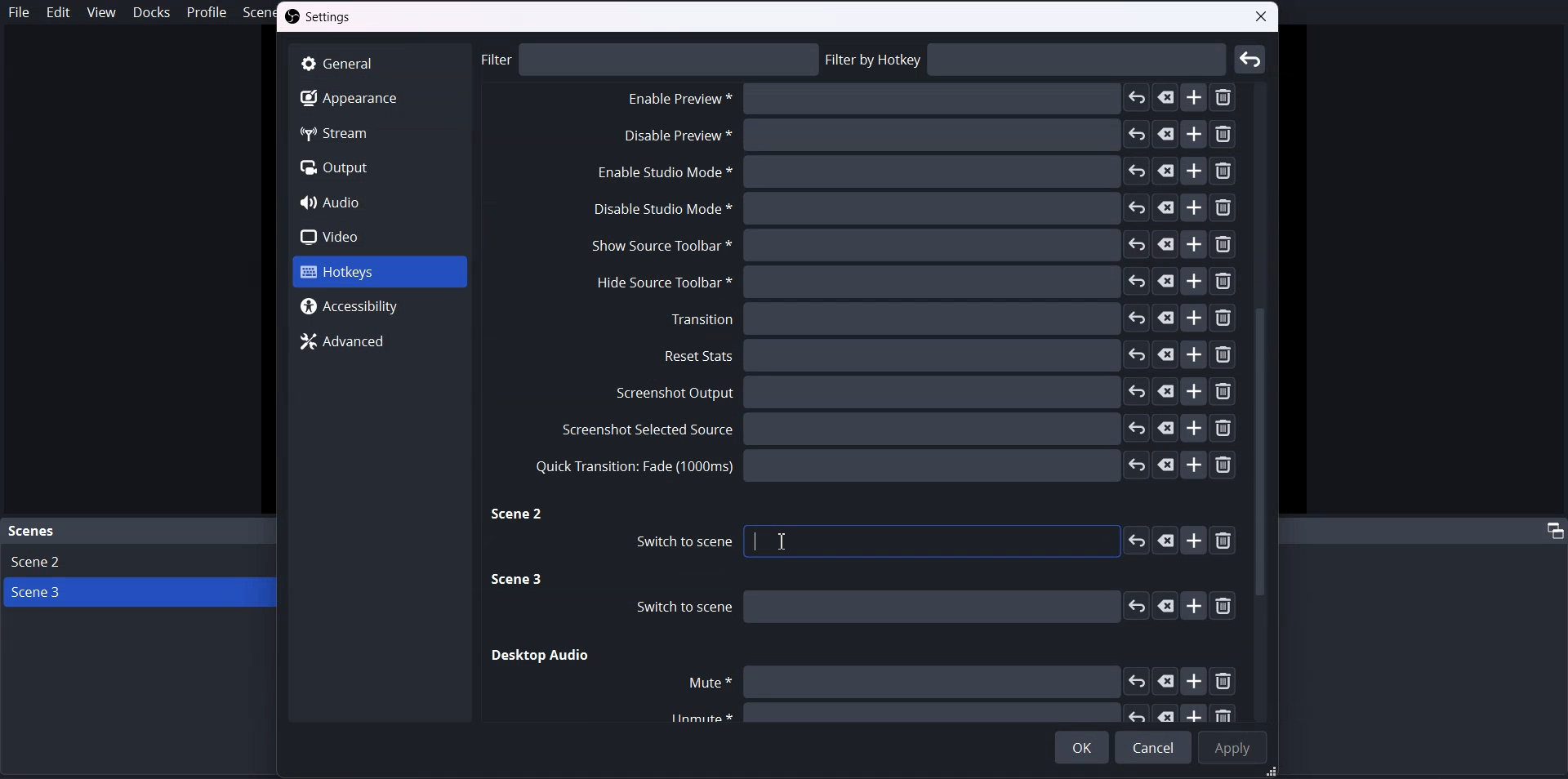  What do you see at coordinates (958, 681) in the screenshot?
I see `mute` at bounding box center [958, 681].